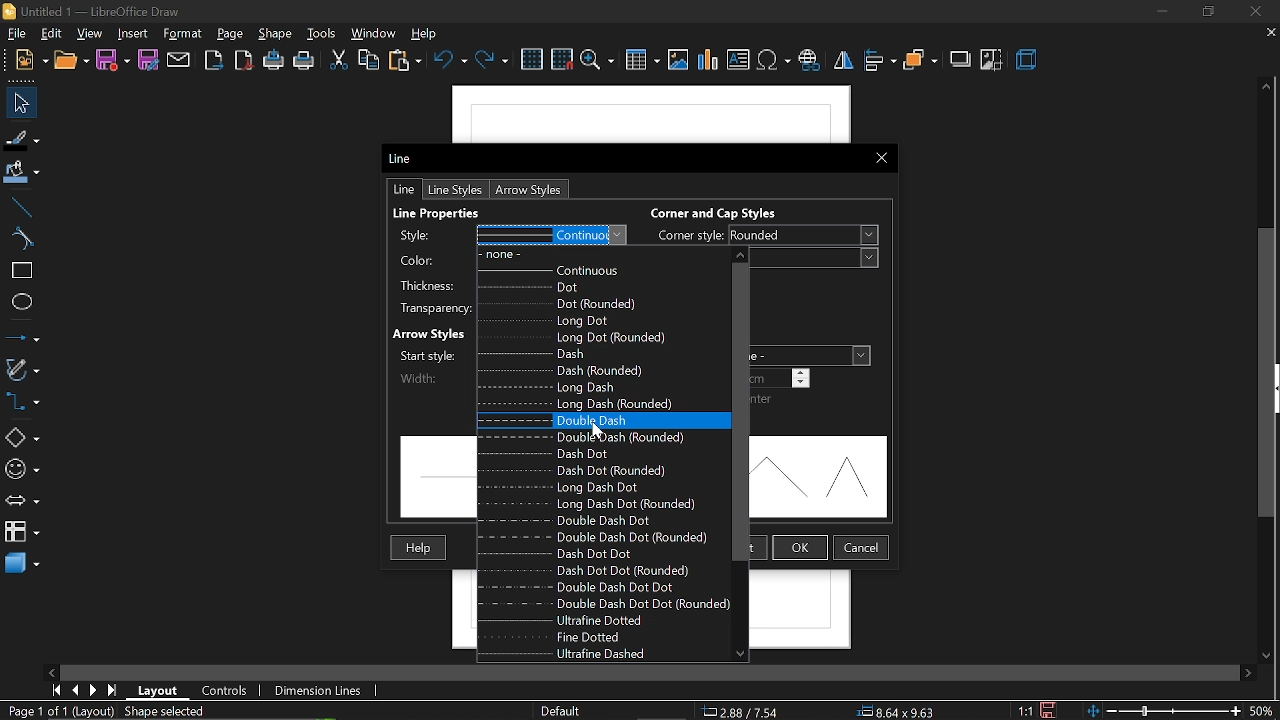  Describe the element at coordinates (420, 548) in the screenshot. I see `Help` at that location.